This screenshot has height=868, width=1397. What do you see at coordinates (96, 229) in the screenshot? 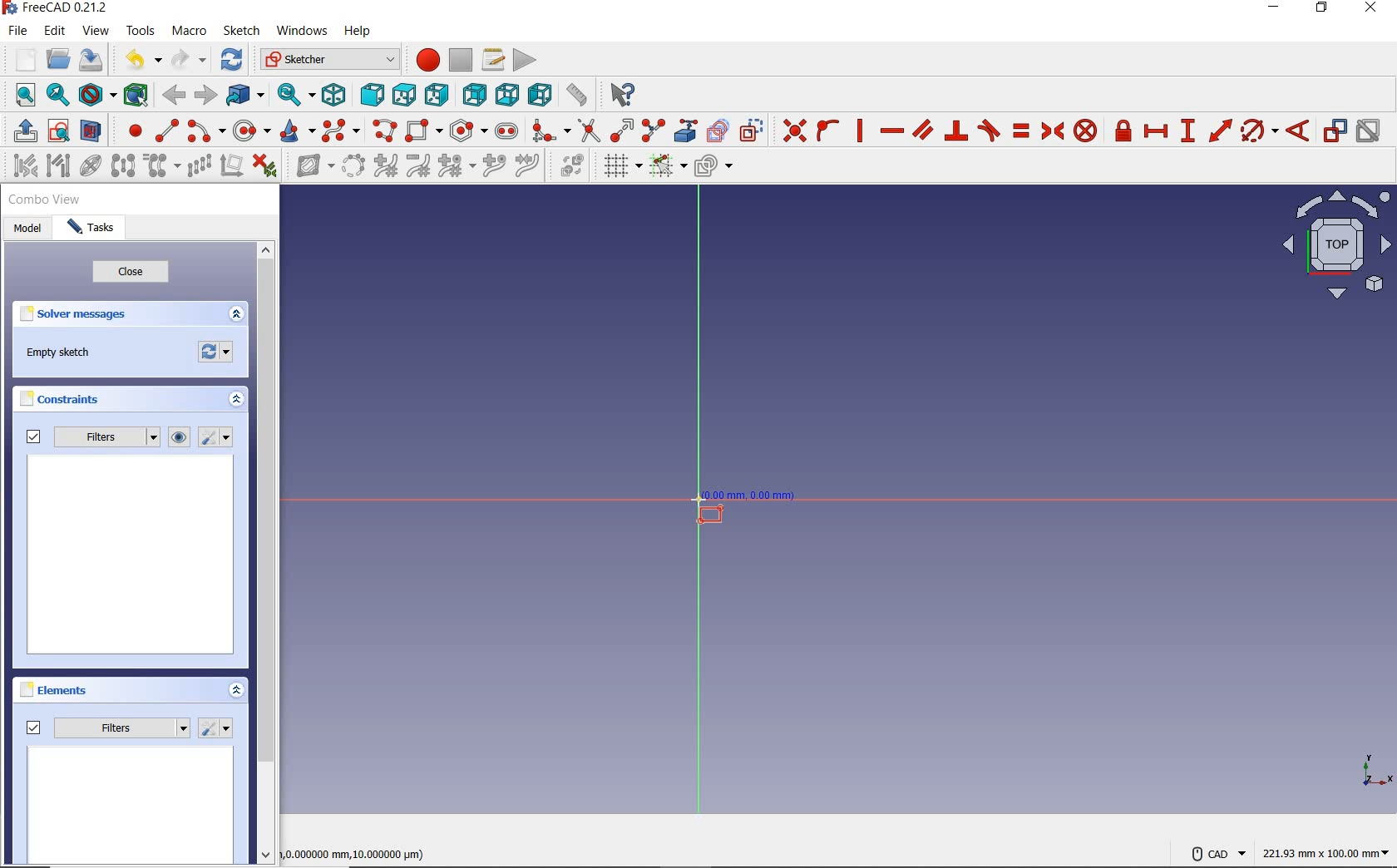
I see `tasks` at bounding box center [96, 229].